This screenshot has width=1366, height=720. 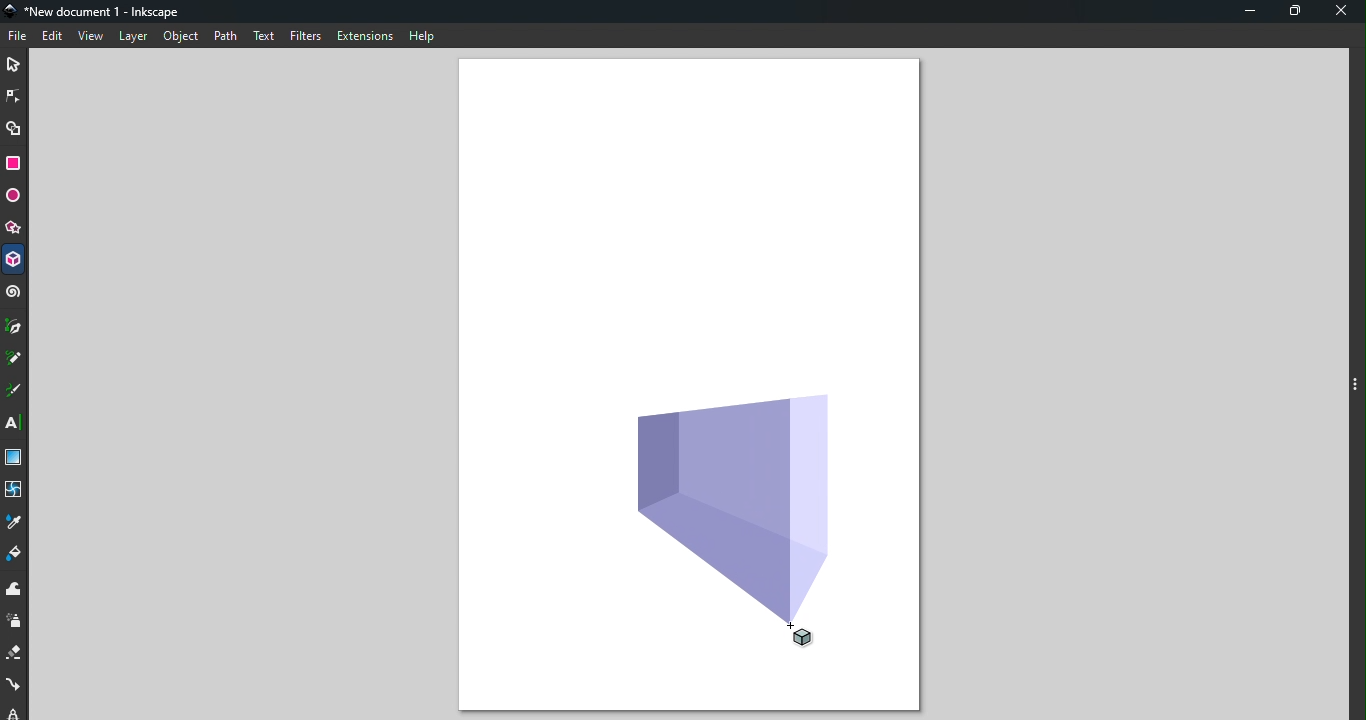 I want to click on  *New document 1 - Inkscape, so click(x=96, y=13).